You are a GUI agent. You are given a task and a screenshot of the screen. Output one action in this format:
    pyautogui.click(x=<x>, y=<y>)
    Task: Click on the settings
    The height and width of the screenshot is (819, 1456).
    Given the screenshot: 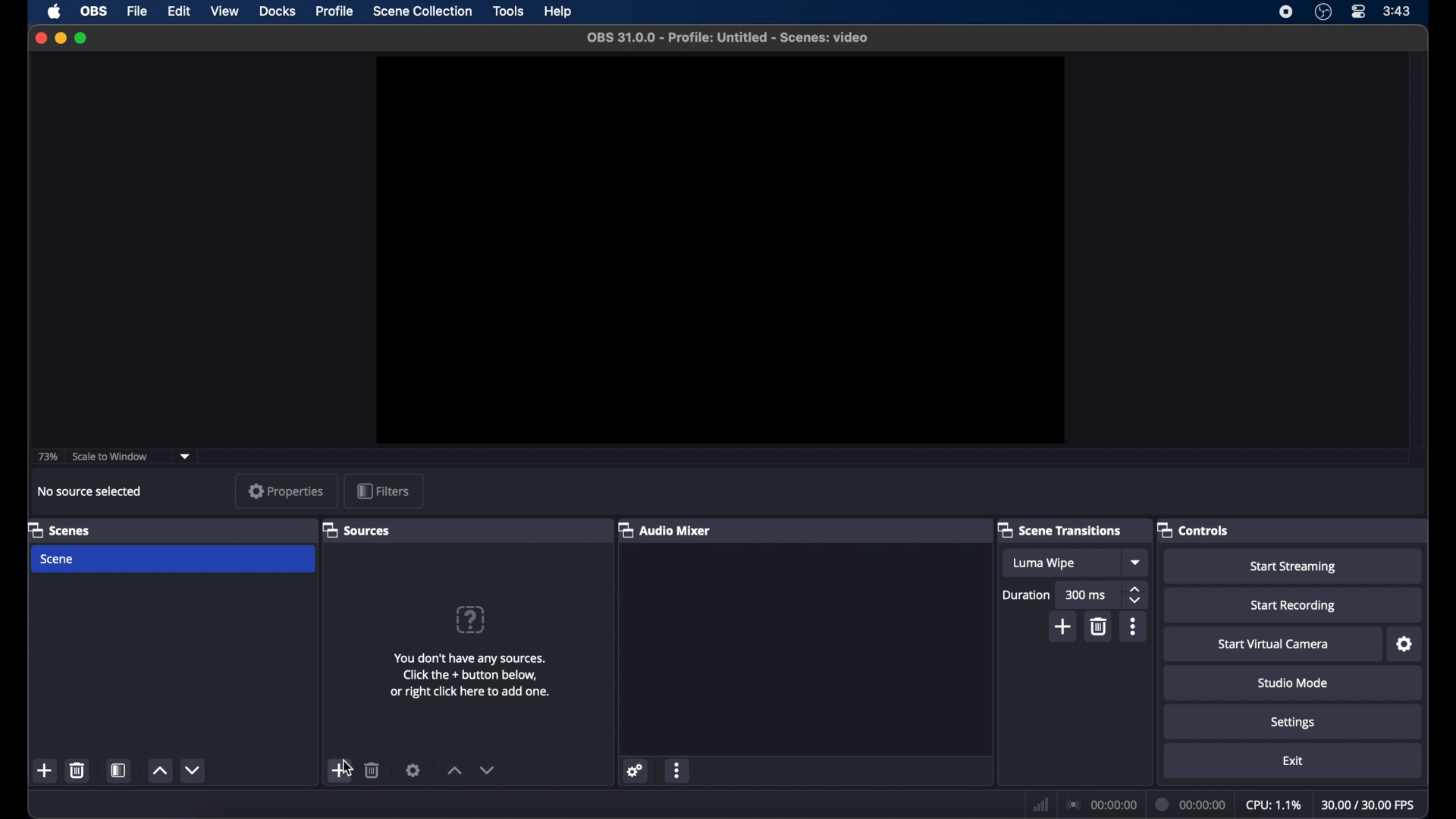 What is the action you would take?
    pyautogui.click(x=413, y=770)
    